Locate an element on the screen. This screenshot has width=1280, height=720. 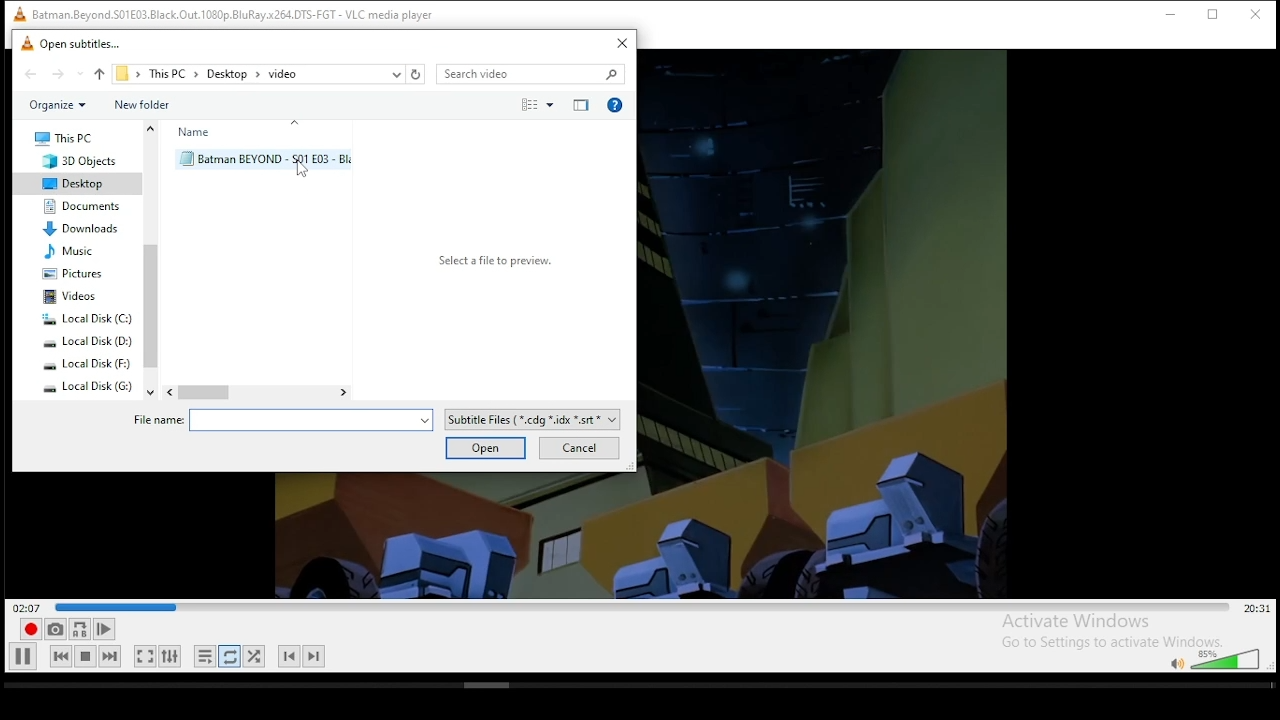
music is located at coordinates (79, 251).